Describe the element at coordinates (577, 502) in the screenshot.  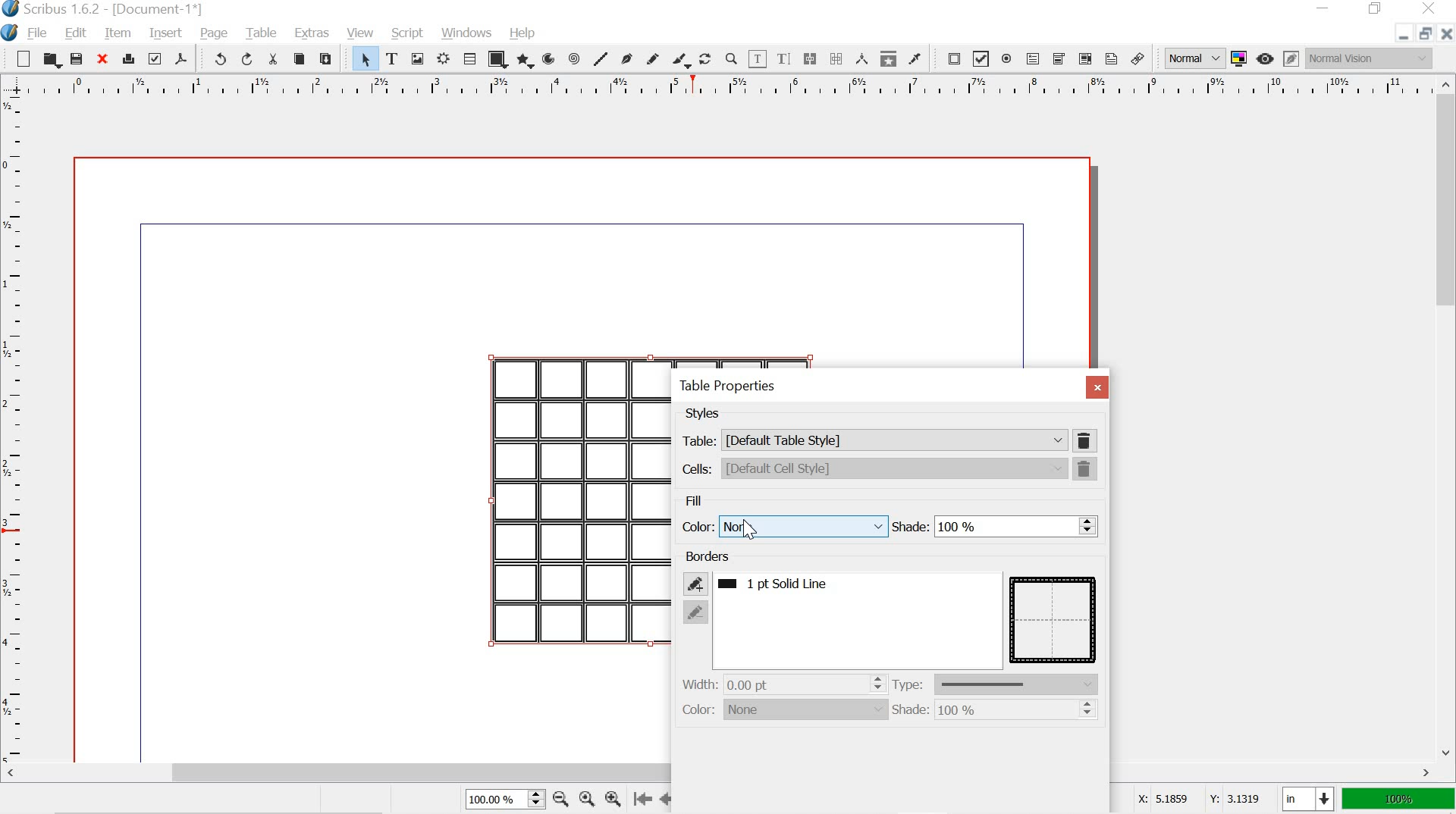
I see `table` at that location.